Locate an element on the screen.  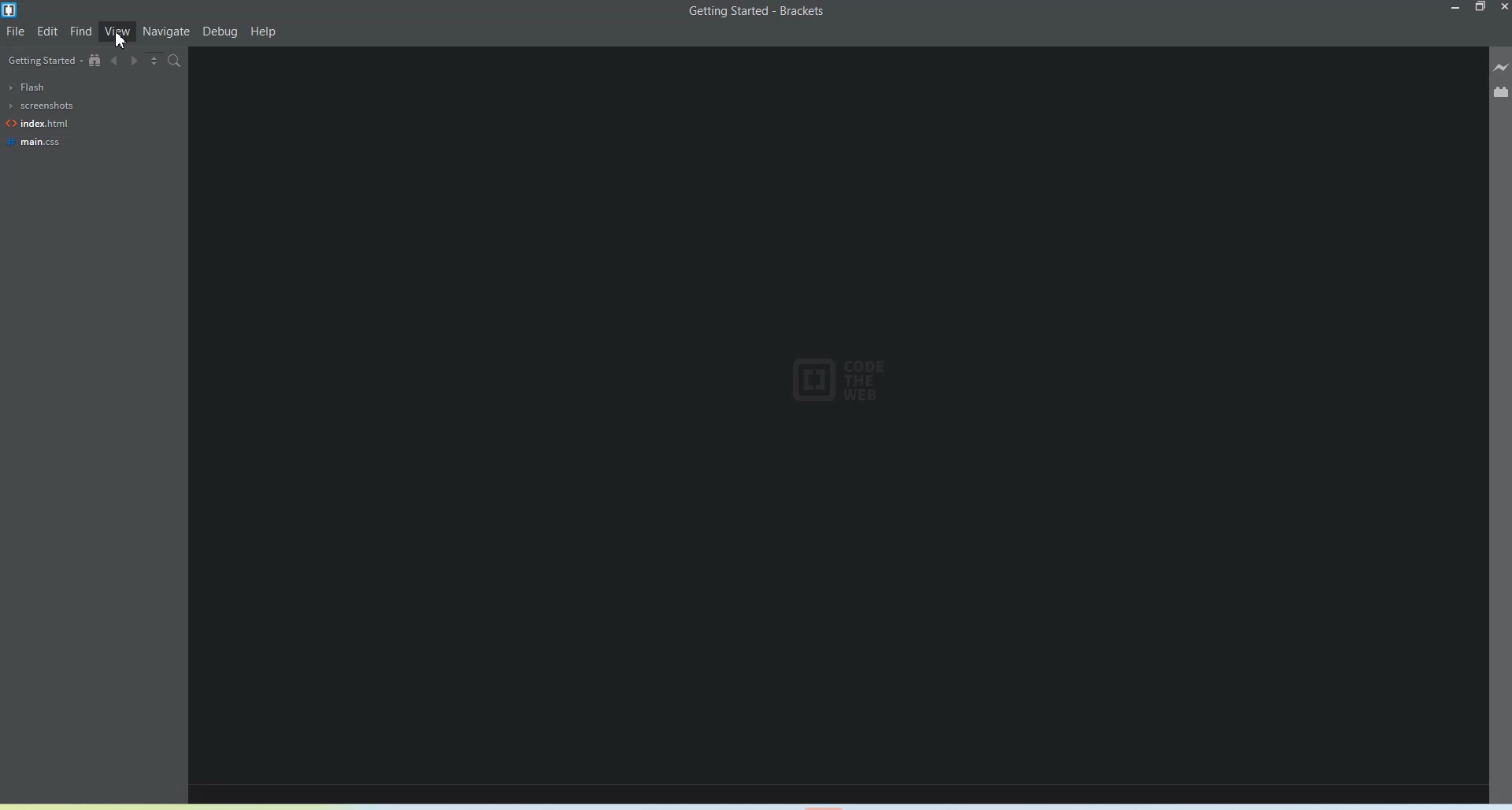
Edit is located at coordinates (48, 31).